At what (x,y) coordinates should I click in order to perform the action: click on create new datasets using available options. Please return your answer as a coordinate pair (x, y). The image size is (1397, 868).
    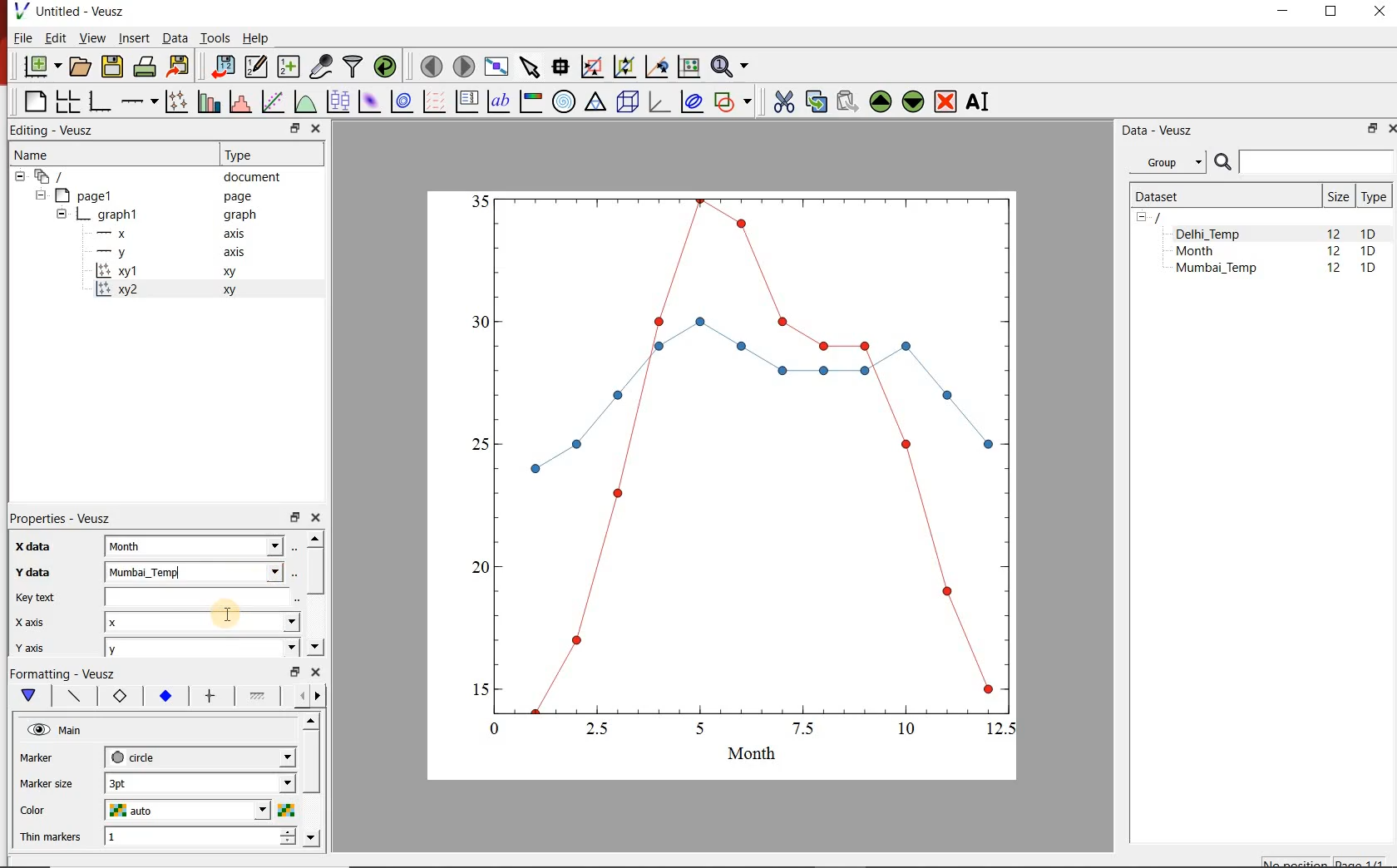
    Looking at the image, I should click on (289, 67).